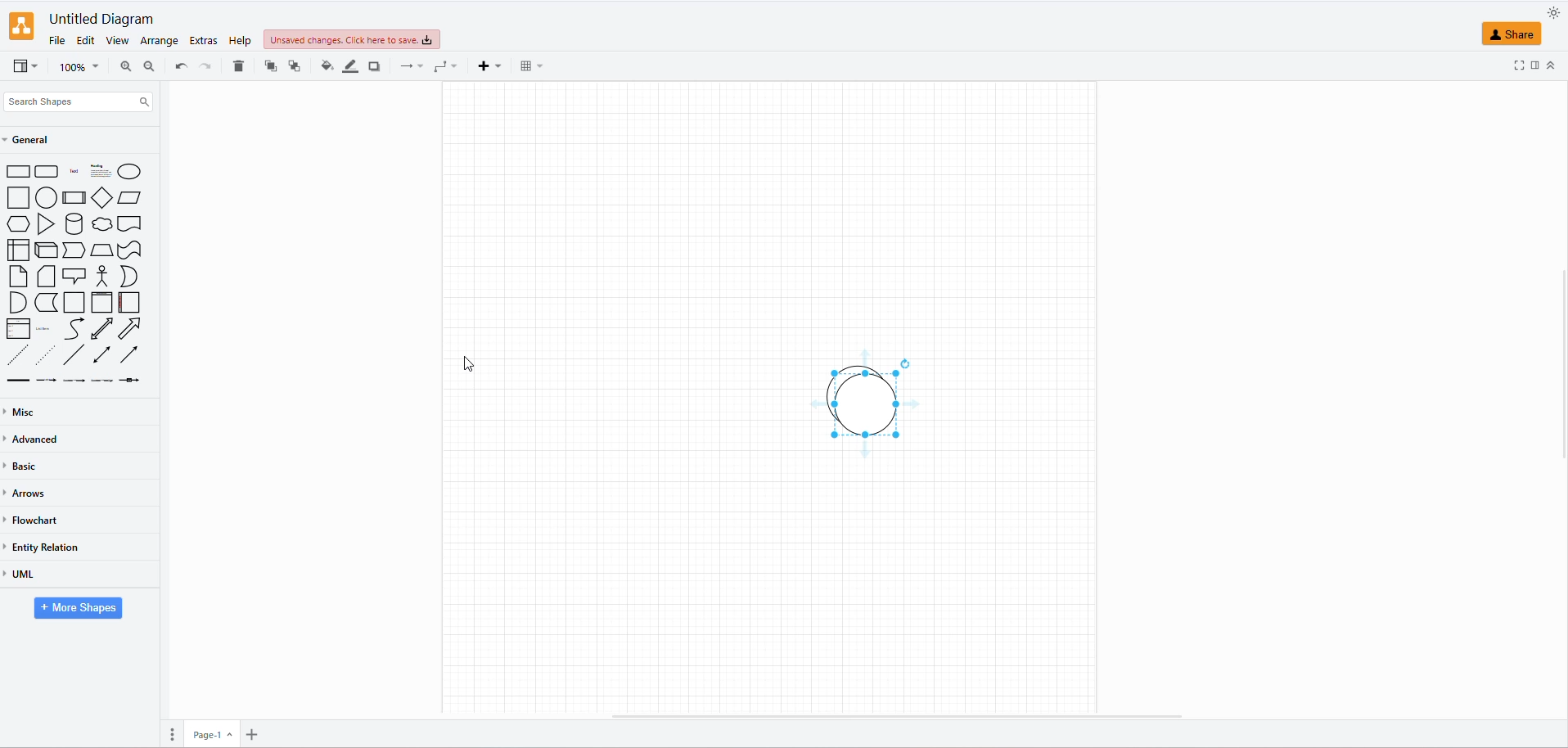 The image size is (1568, 748). What do you see at coordinates (469, 363) in the screenshot?
I see `cursor` at bounding box center [469, 363].